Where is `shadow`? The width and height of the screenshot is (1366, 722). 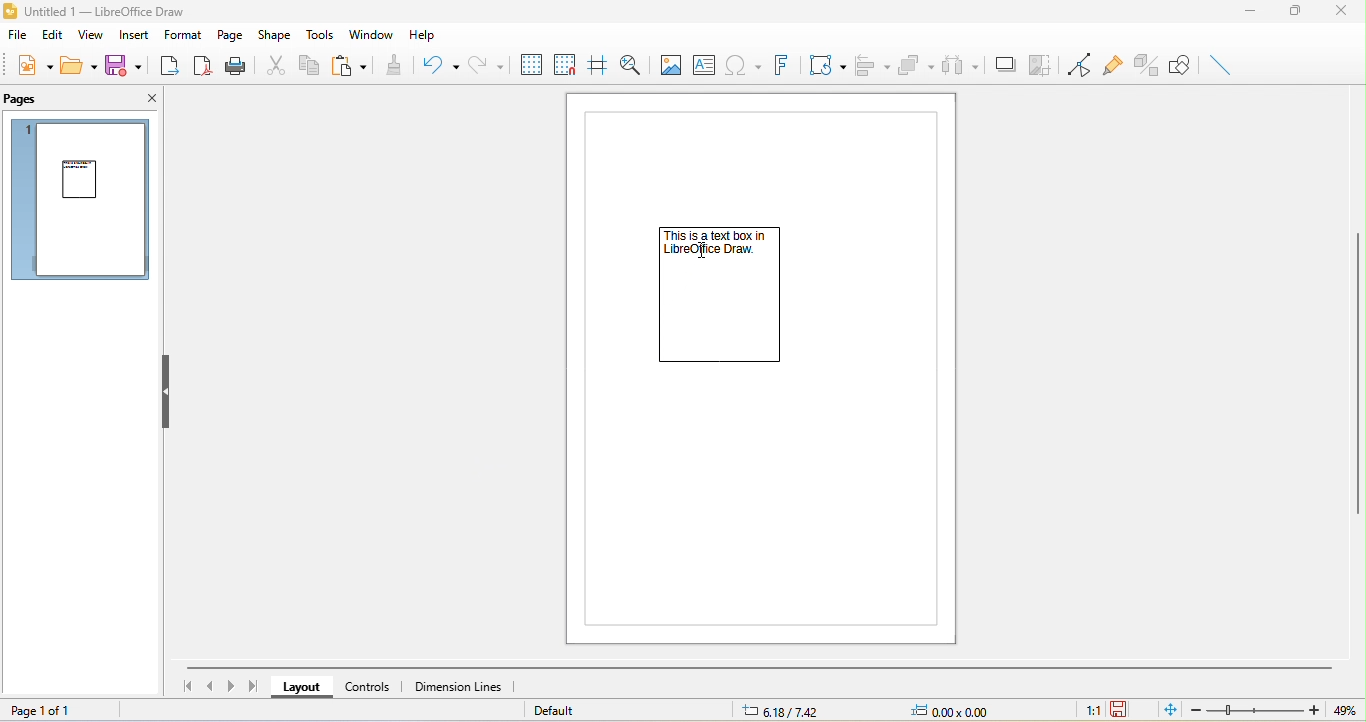 shadow is located at coordinates (1000, 63).